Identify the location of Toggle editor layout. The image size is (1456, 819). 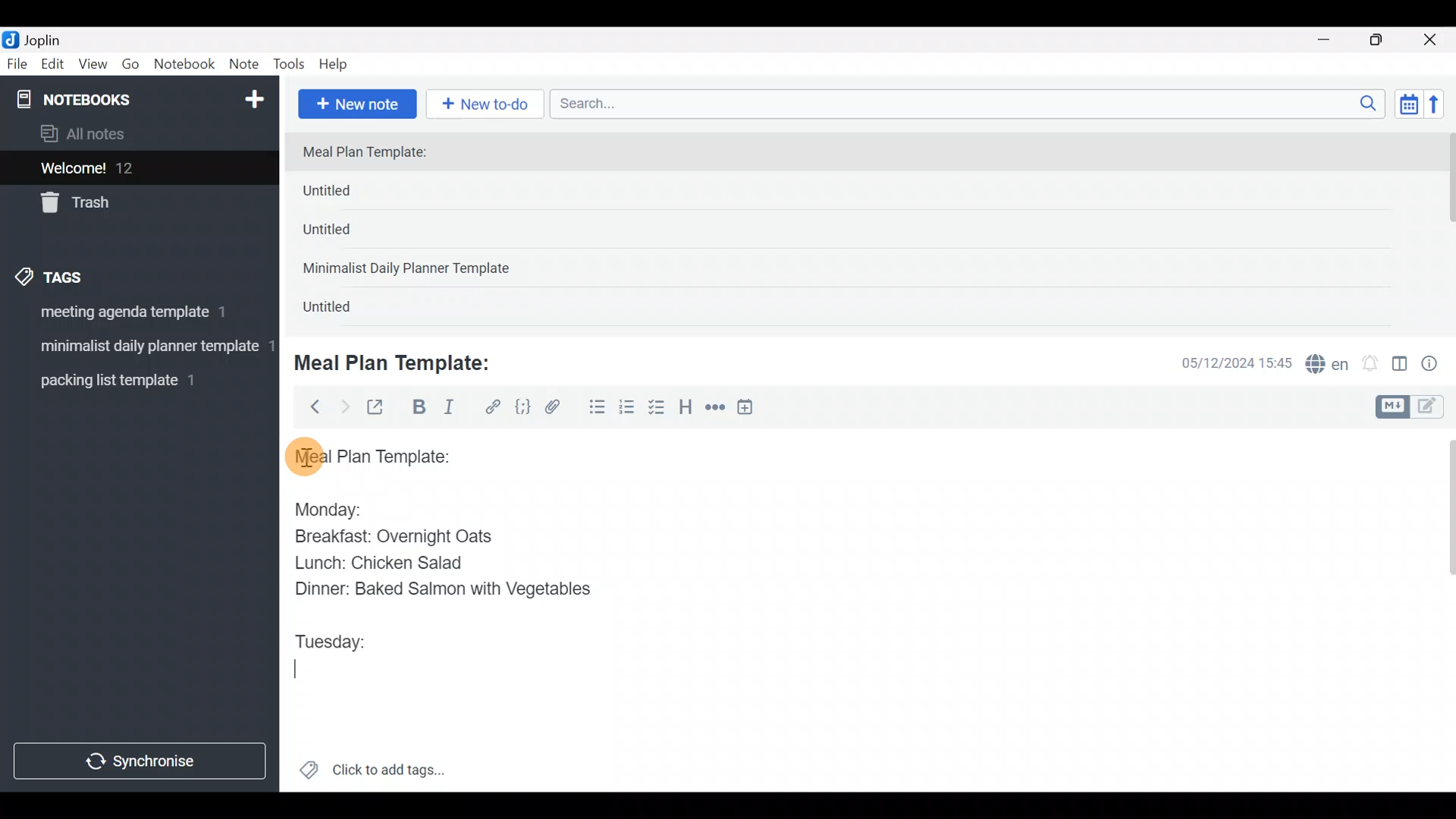
(1401, 366).